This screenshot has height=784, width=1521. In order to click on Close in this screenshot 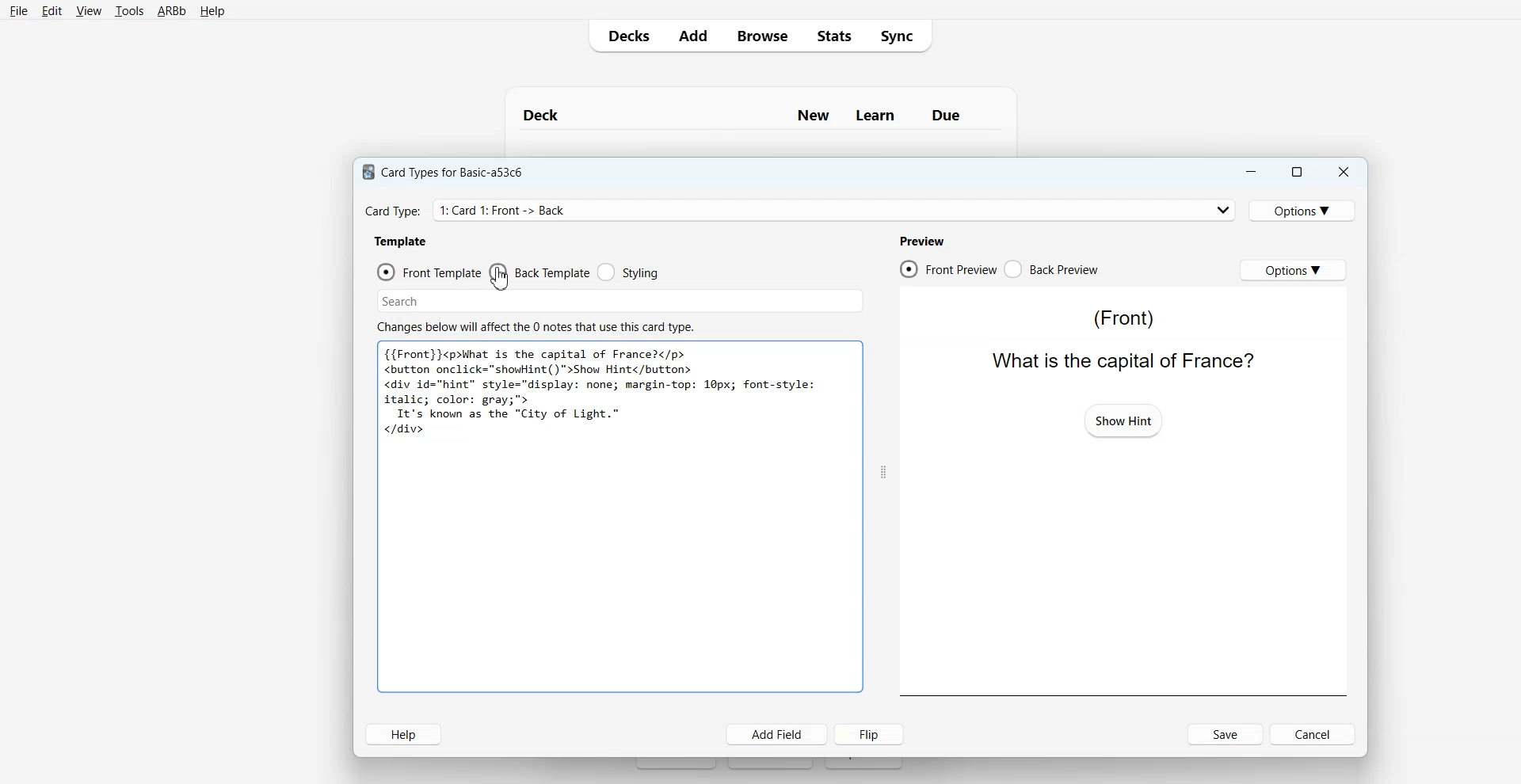, I will do `click(1343, 173)`.